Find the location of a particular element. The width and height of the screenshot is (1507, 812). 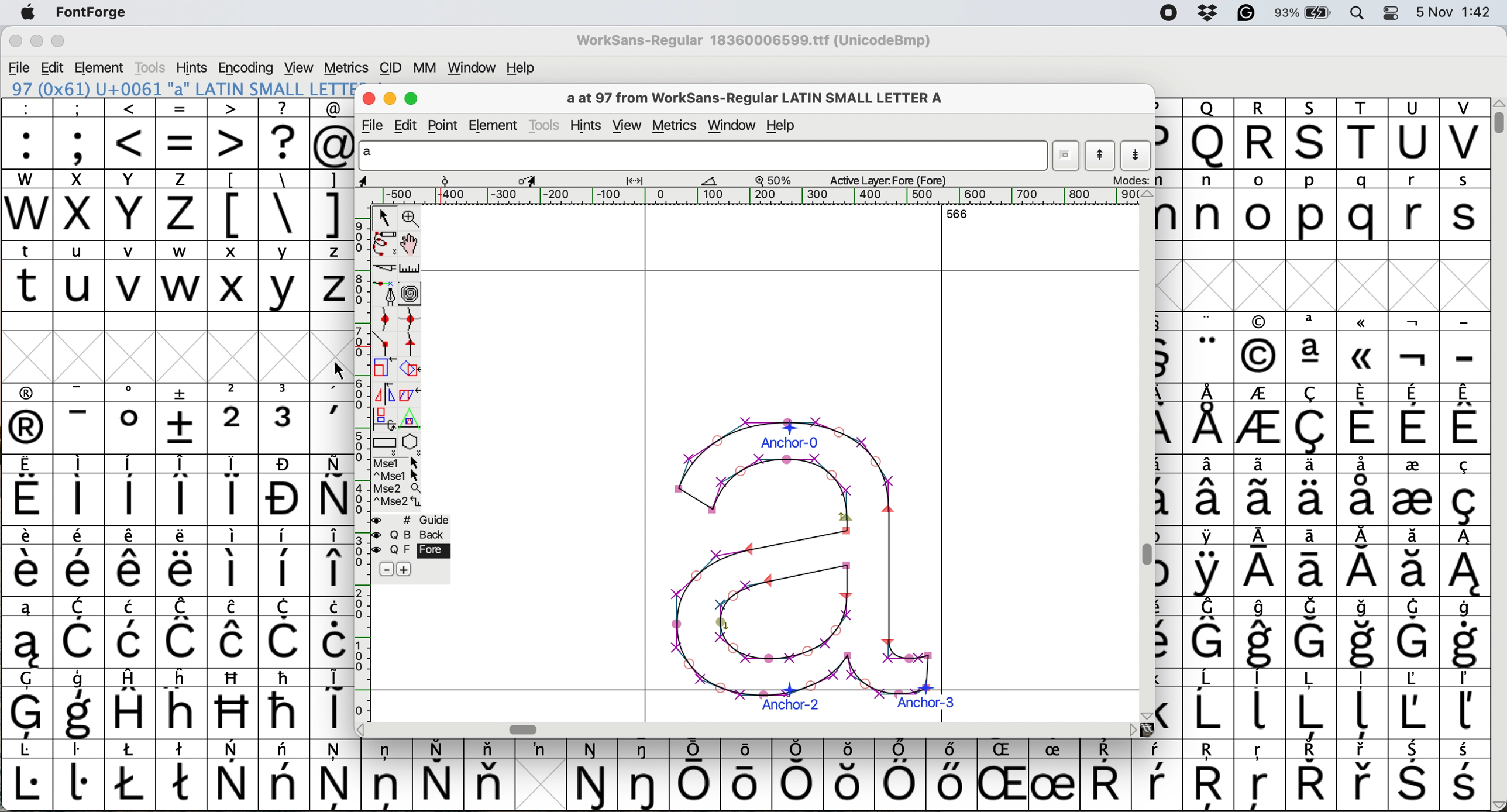

scroll button is located at coordinates (362, 728).